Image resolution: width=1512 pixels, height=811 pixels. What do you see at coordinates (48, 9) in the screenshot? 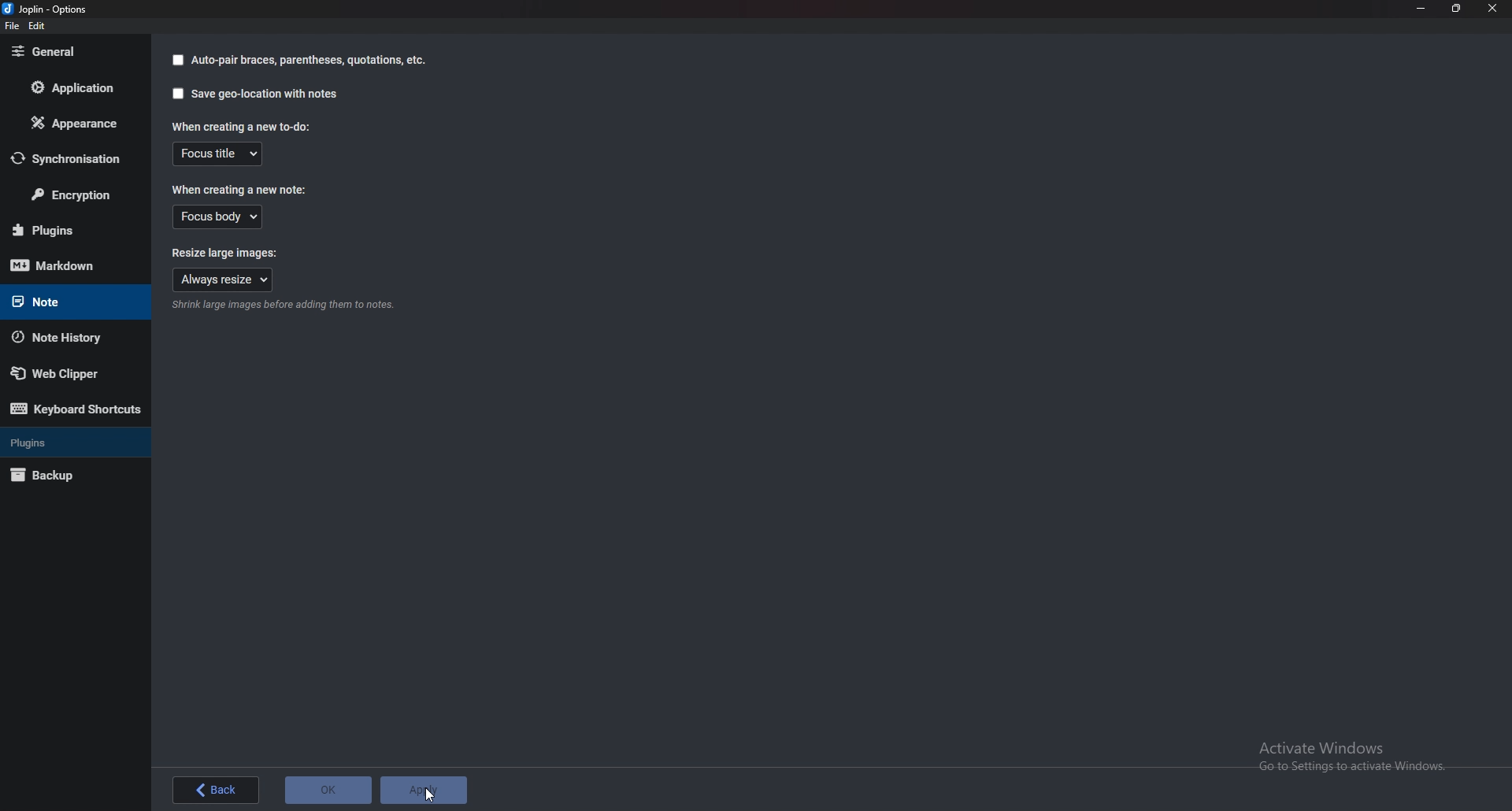
I see `joplin - option` at bounding box center [48, 9].